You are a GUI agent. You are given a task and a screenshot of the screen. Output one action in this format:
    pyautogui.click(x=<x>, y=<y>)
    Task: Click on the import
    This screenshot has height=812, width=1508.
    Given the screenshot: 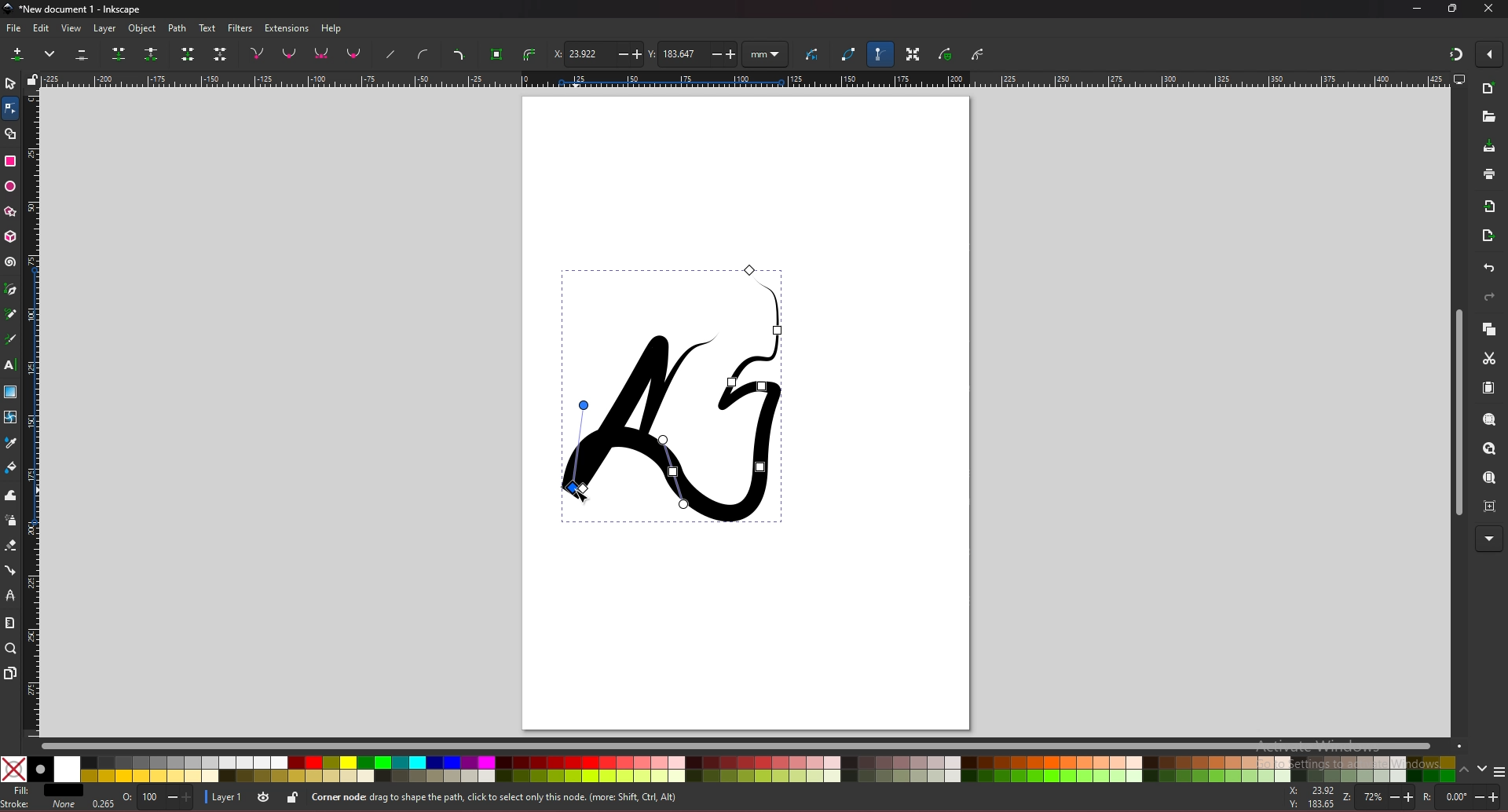 What is the action you would take?
    pyautogui.click(x=1490, y=207)
    